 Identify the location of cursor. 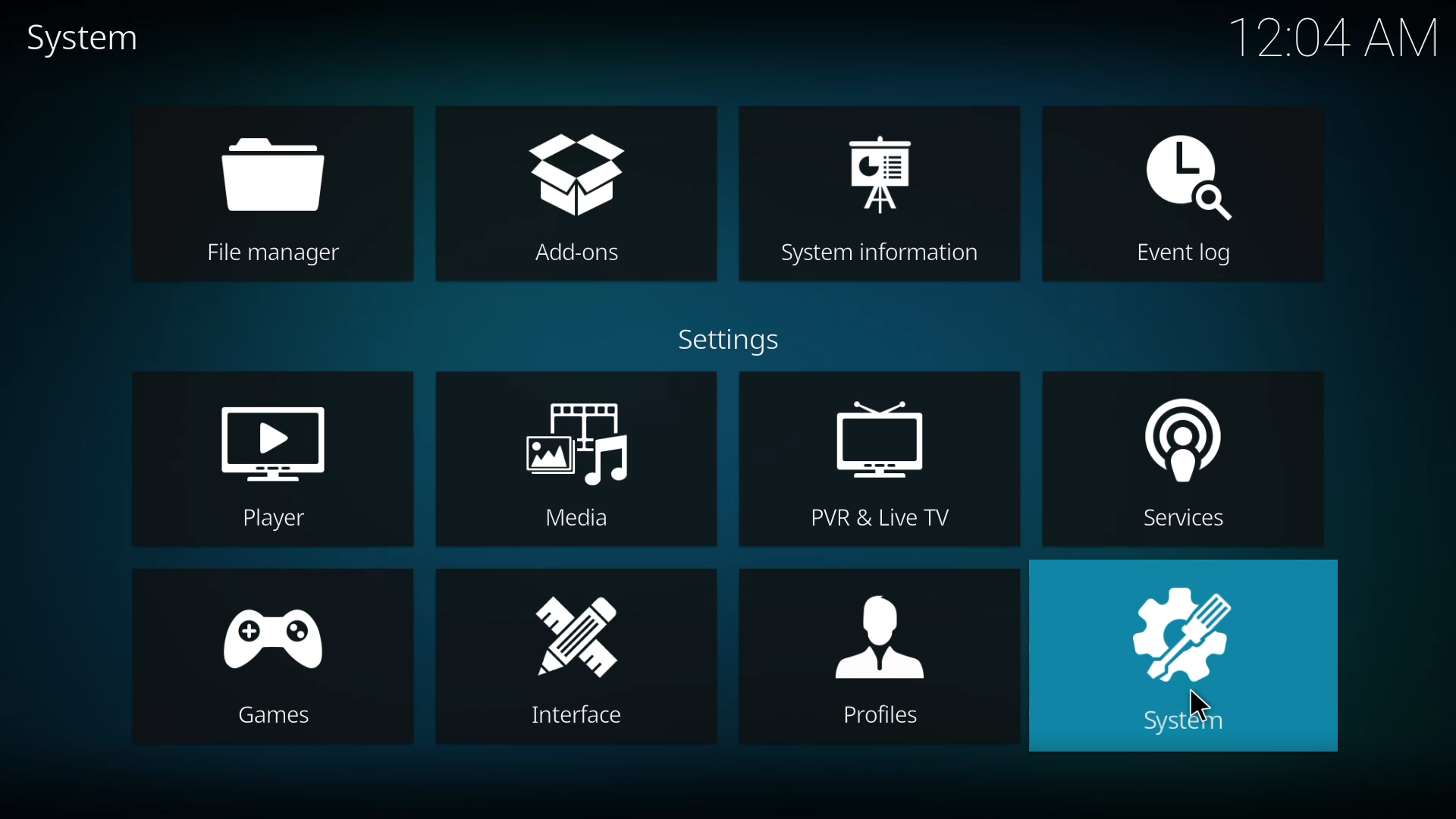
(1198, 707).